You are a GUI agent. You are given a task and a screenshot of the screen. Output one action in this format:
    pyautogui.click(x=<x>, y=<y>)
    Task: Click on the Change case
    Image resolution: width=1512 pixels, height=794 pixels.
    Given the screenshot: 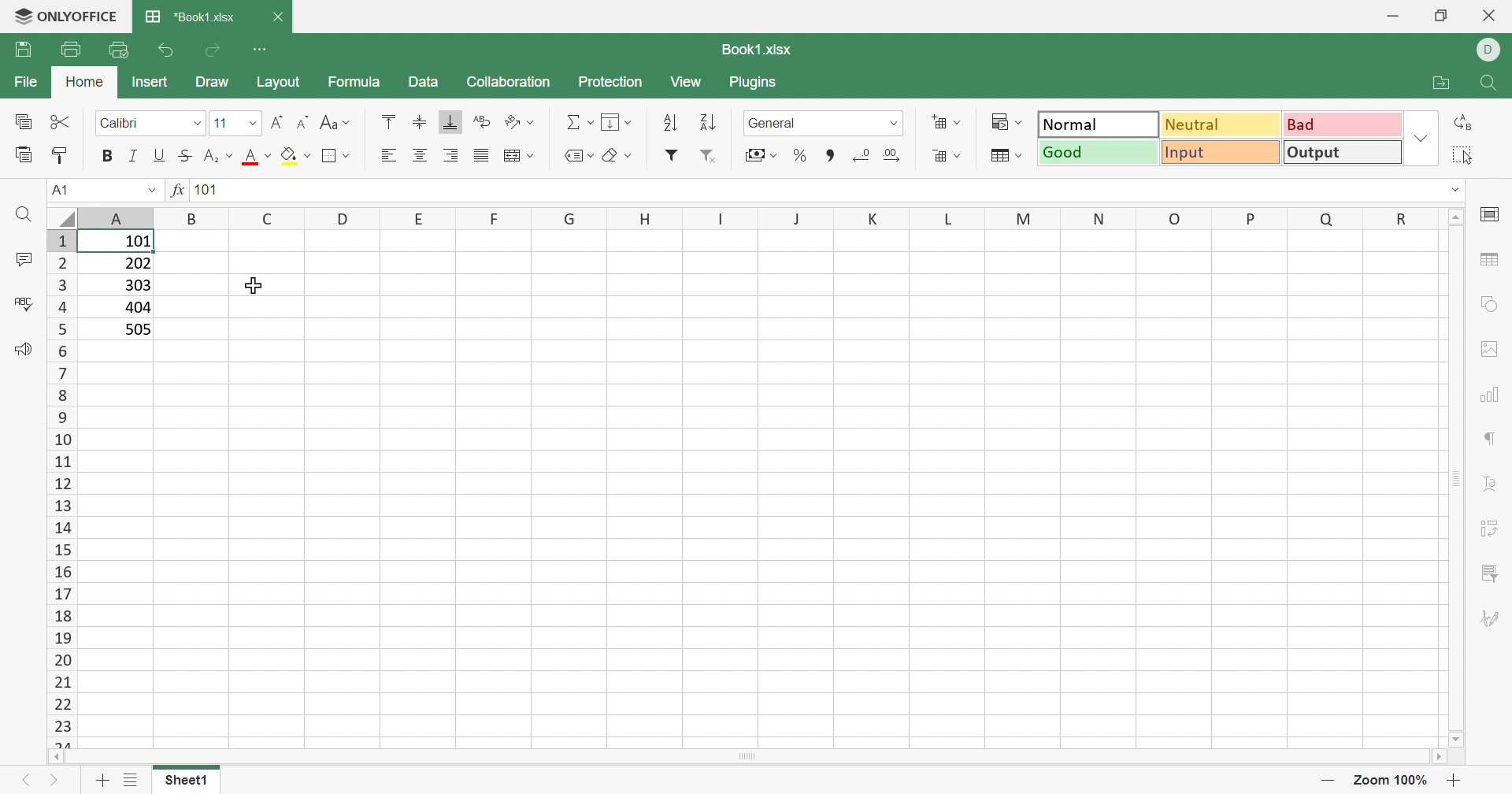 What is the action you would take?
    pyautogui.click(x=338, y=124)
    